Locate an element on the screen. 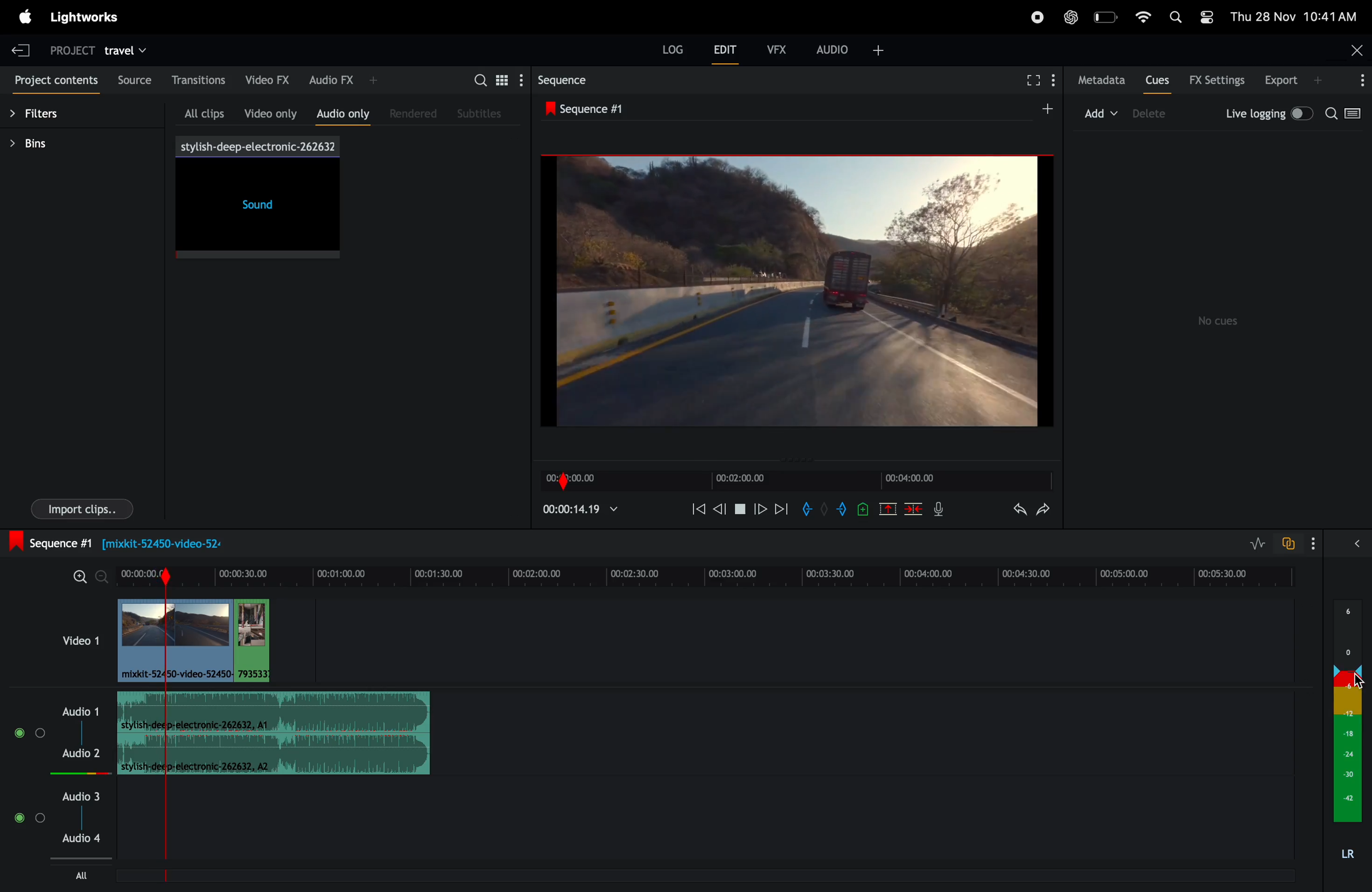 This screenshot has width=1372, height=892. wifi is located at coordinates (1143, 16).